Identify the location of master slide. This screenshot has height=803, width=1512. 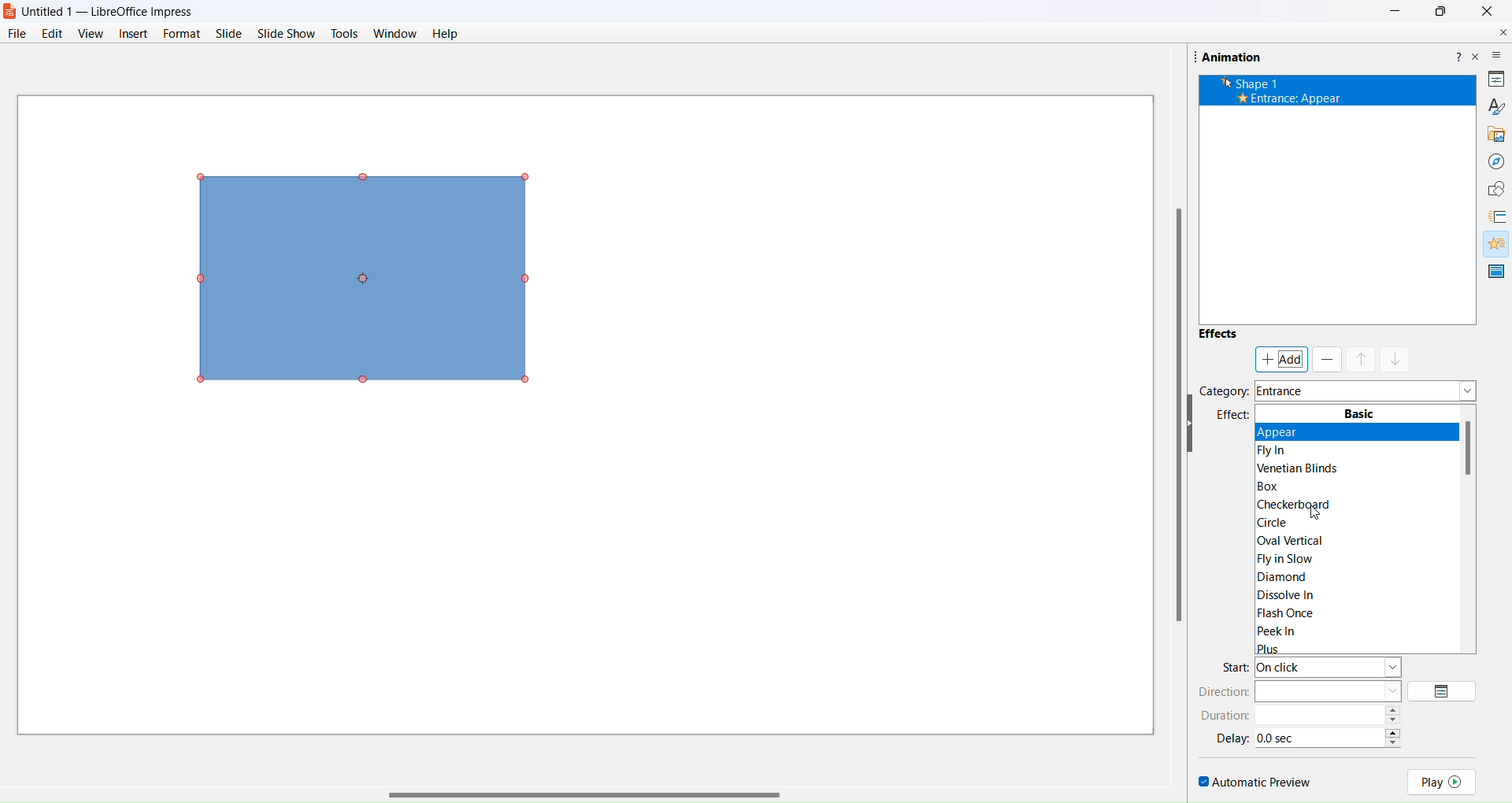
(1495, 272).